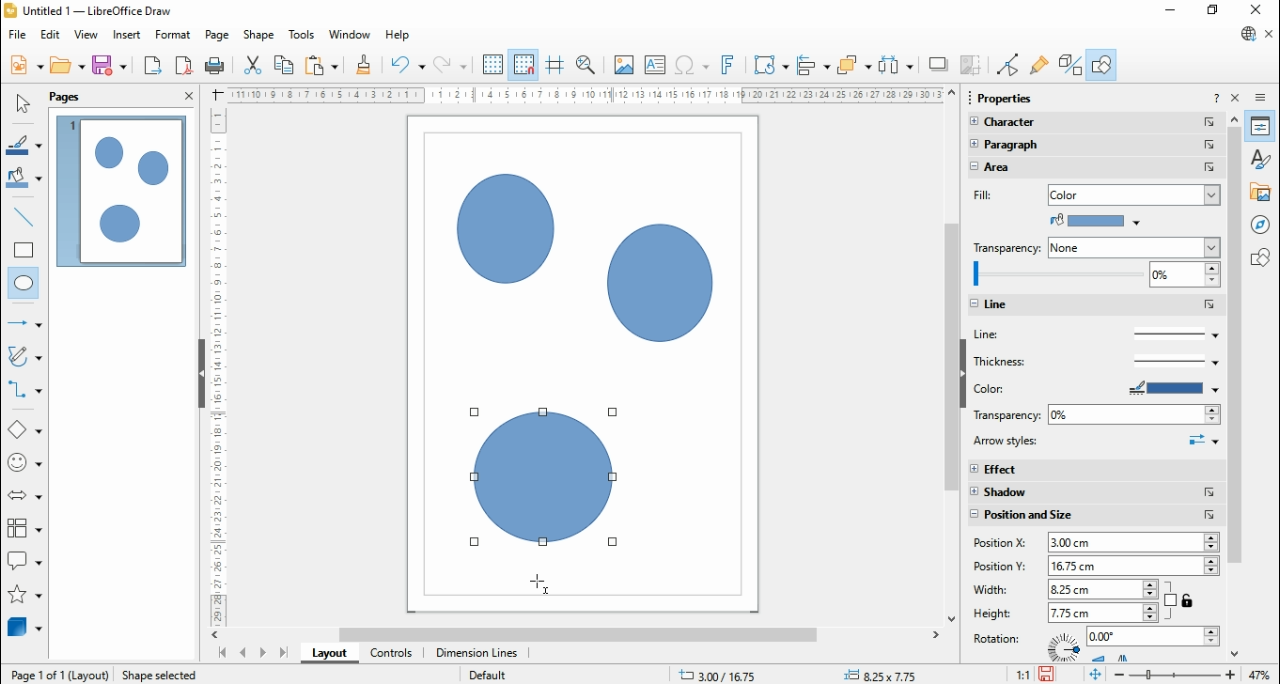 This screenshot has width=1280, height=684. I want to click on show draw functions, so click(1101, 64).